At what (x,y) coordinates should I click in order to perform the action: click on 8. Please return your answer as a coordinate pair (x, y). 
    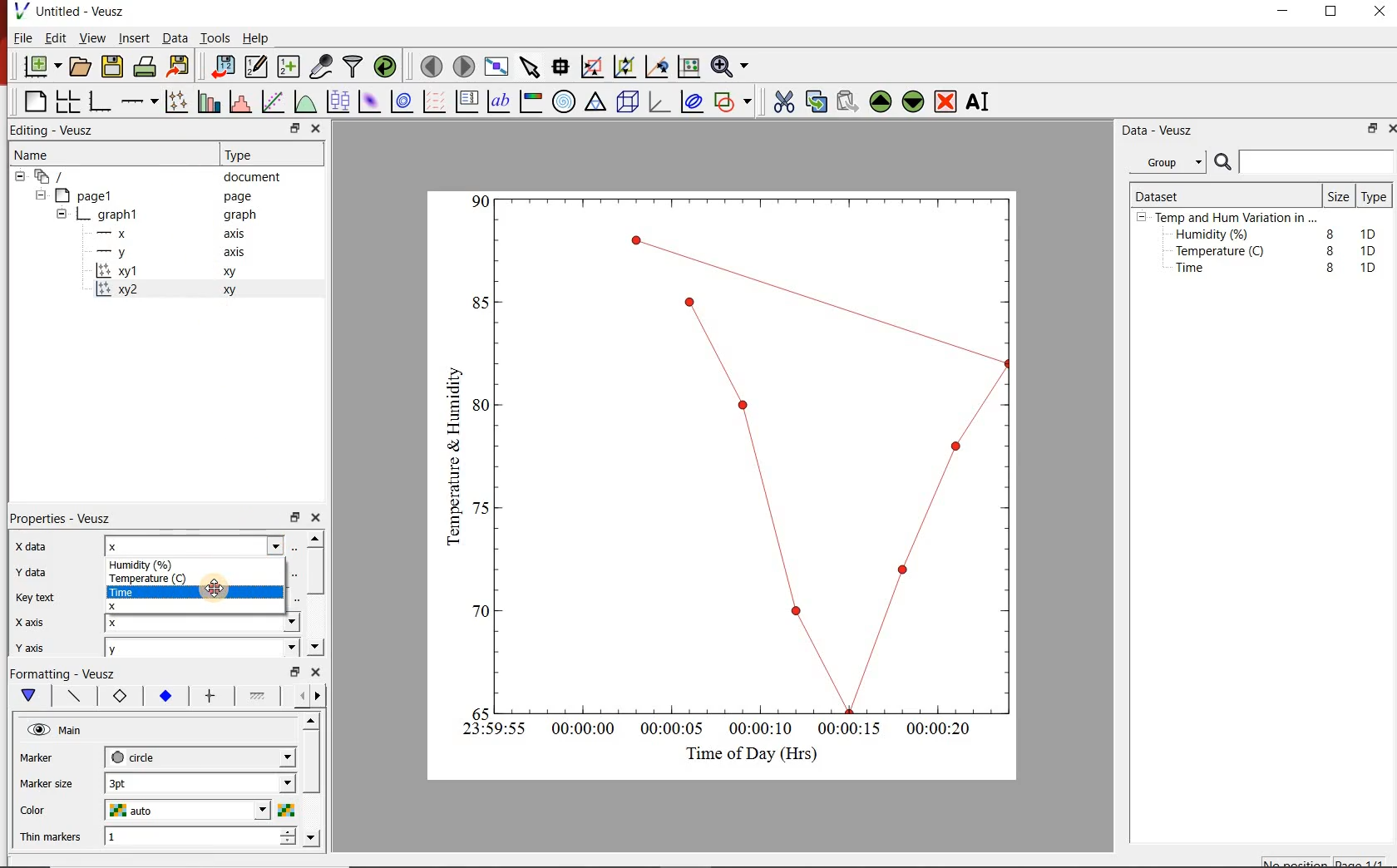
    Looking at the image, I should click on (1327, 249).